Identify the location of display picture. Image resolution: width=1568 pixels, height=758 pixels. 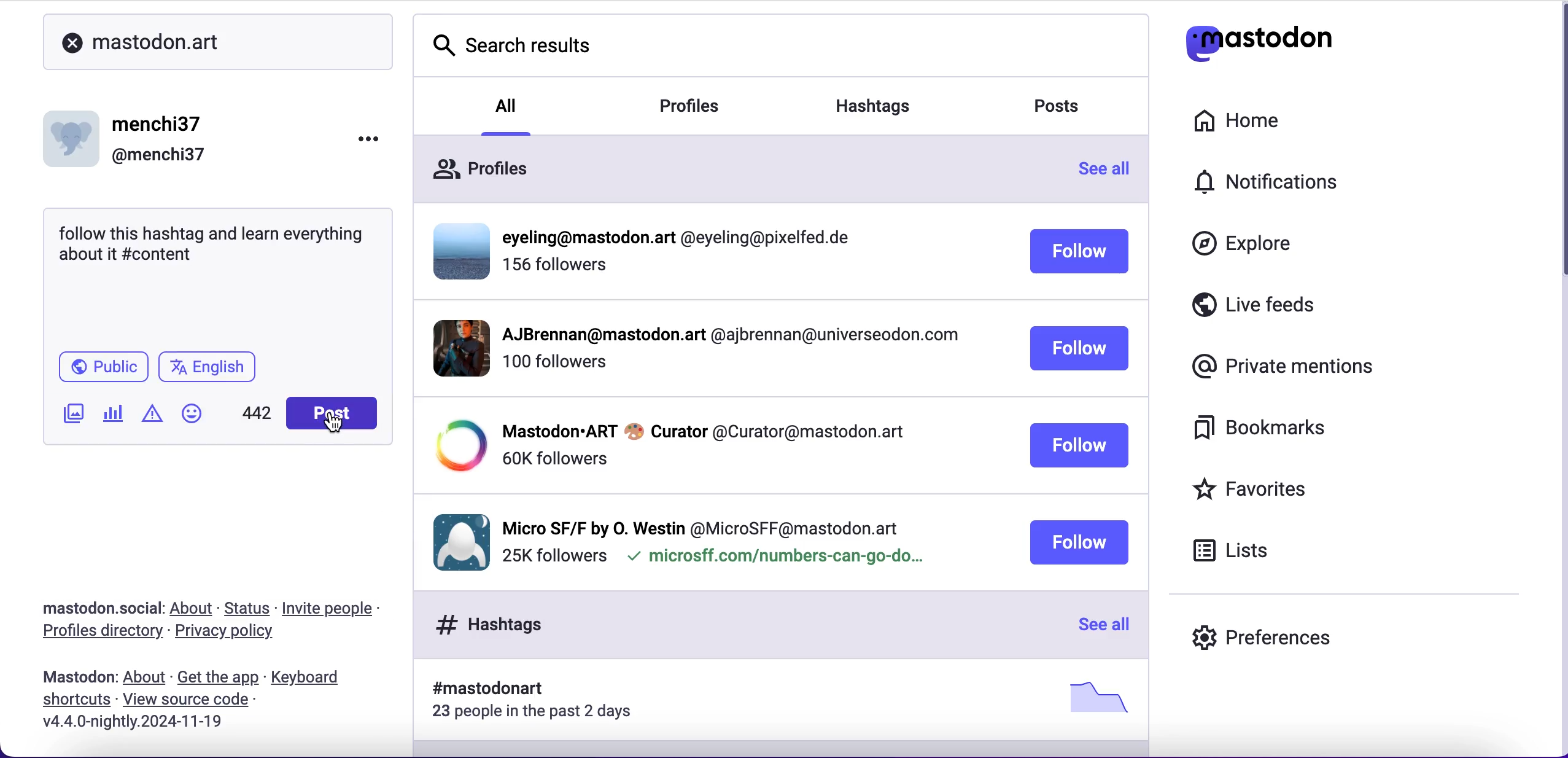
(457, 249).